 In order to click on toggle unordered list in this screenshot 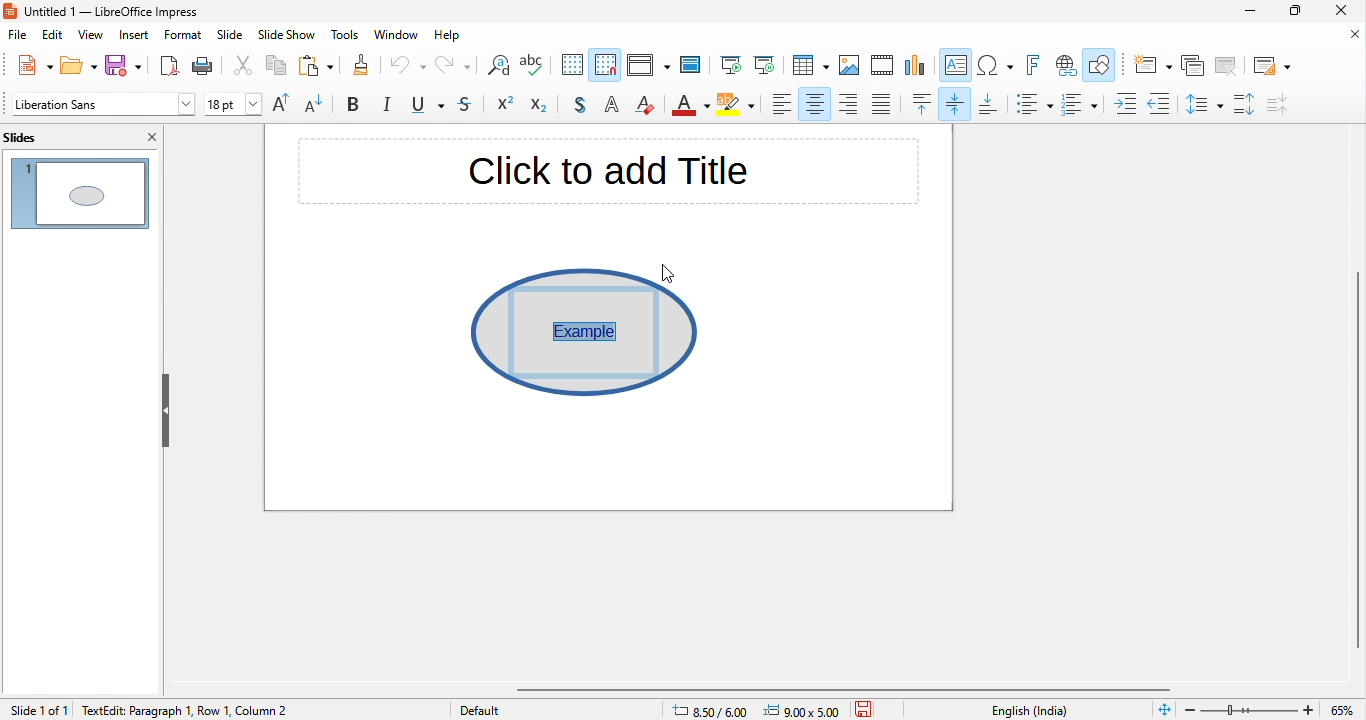, I will do `click(1033, 104)`.